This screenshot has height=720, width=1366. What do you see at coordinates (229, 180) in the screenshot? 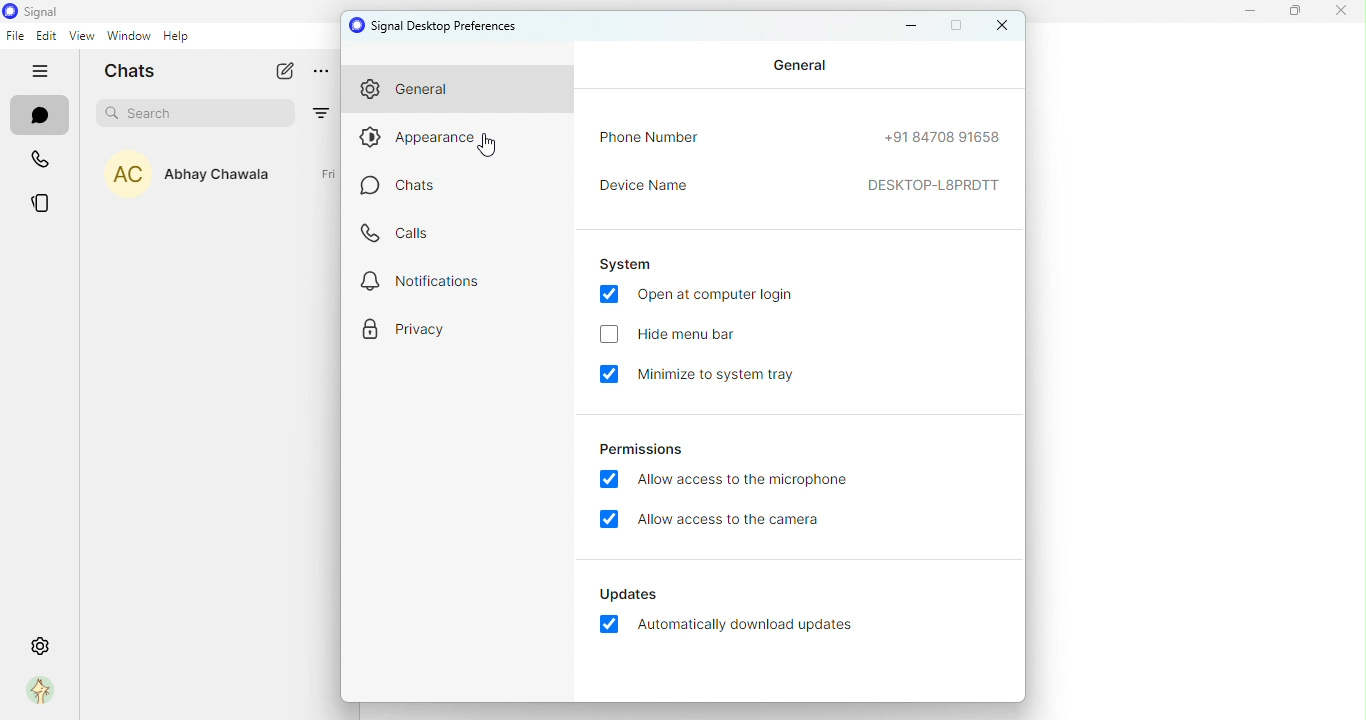
I see `Abhay Chawla` at bounding box center [229, 180].